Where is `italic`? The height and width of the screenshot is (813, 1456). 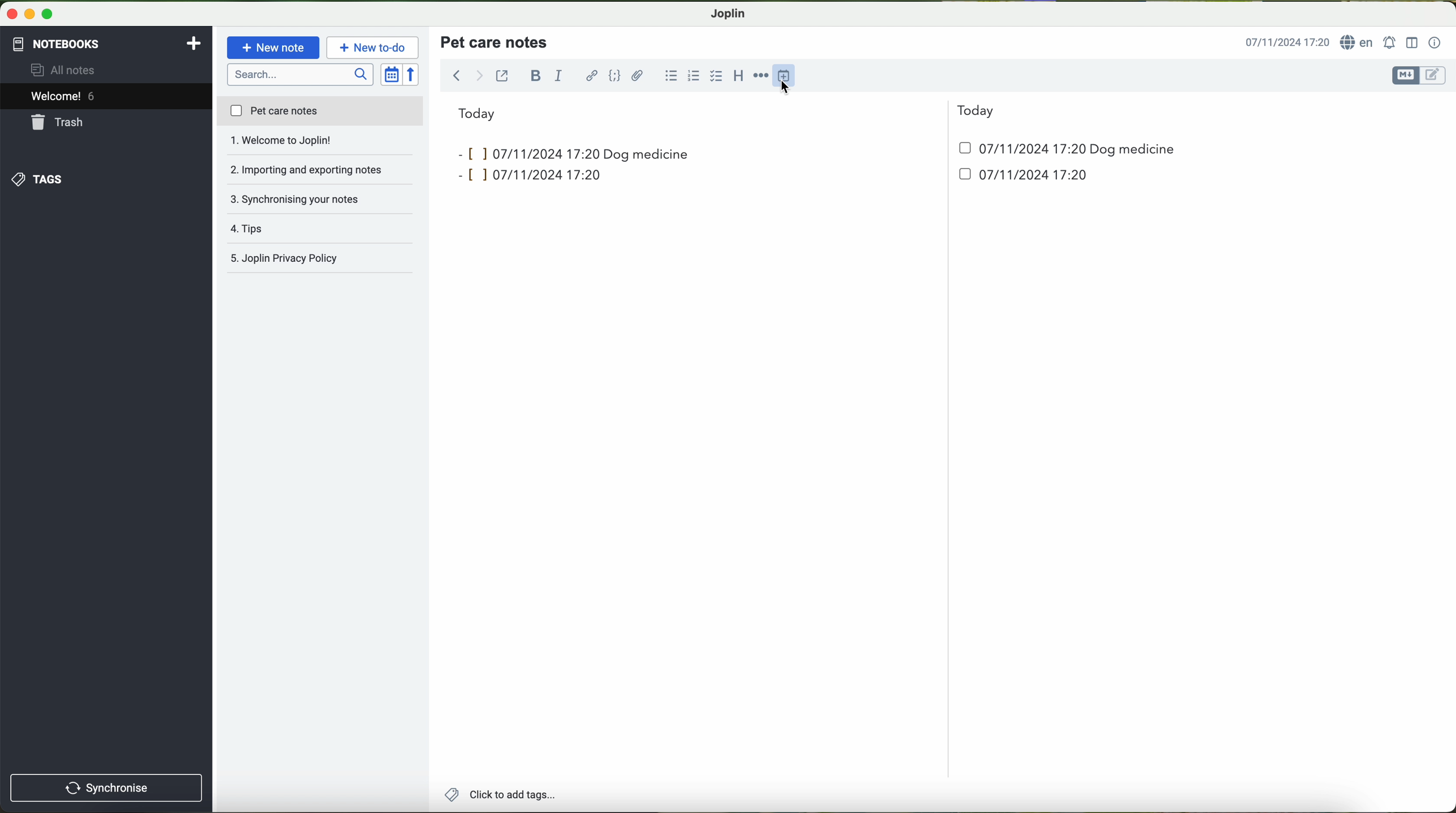 italic is located at coordinates (557, 76).